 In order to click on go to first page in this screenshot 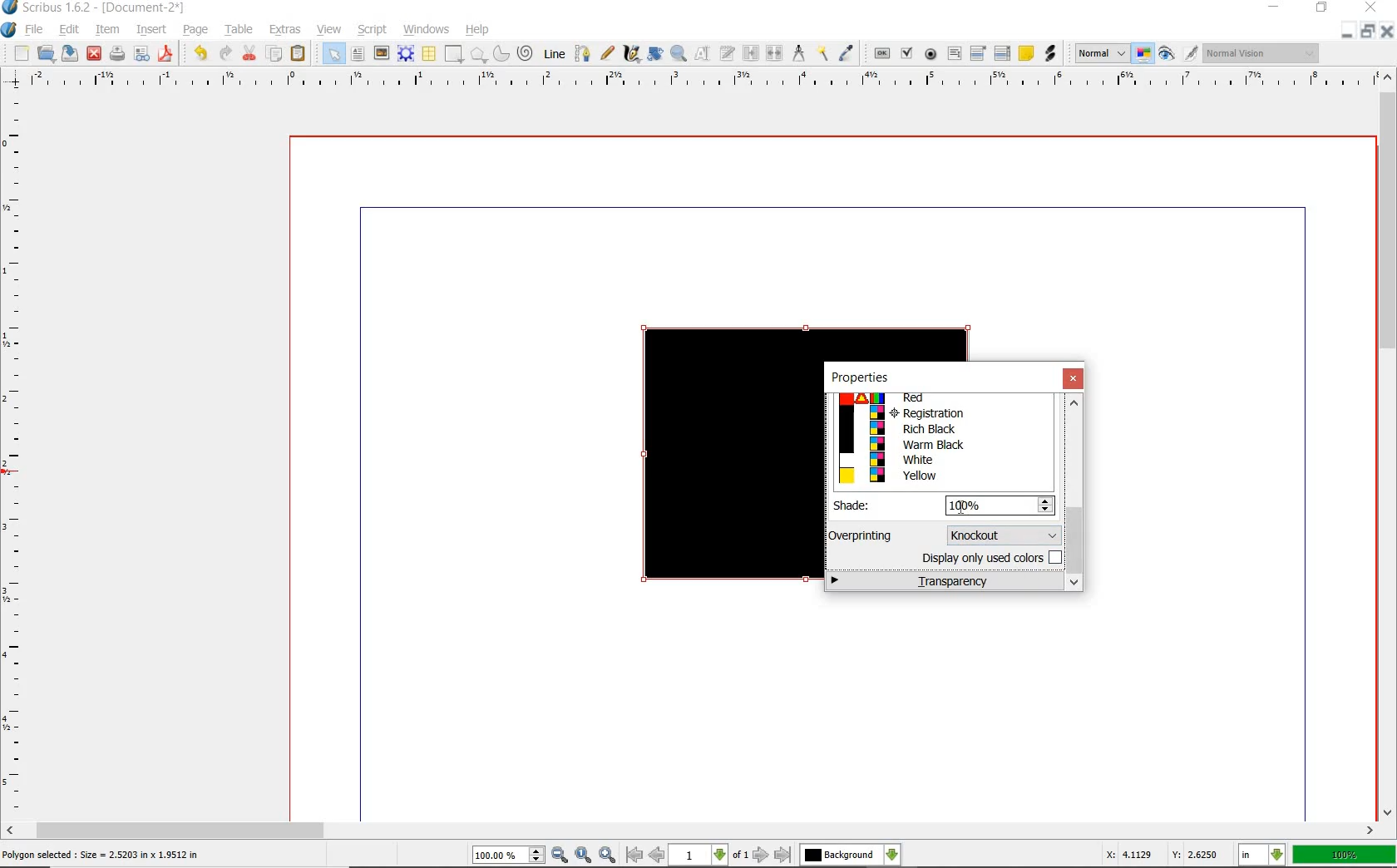, I will do `click(634, 856)`.